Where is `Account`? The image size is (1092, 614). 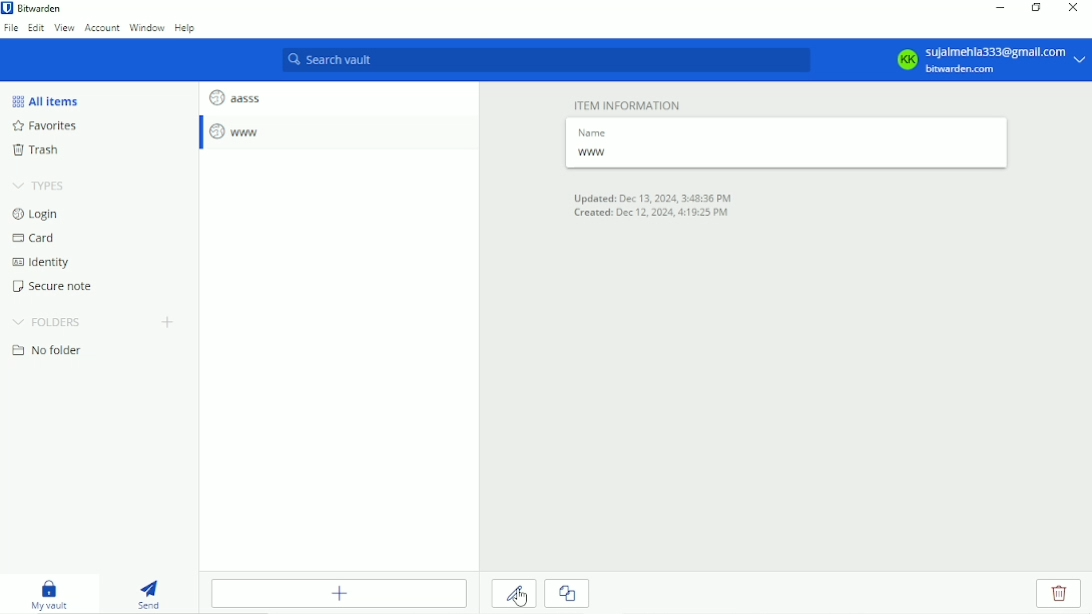 Account is located at coordinates (989, 59).